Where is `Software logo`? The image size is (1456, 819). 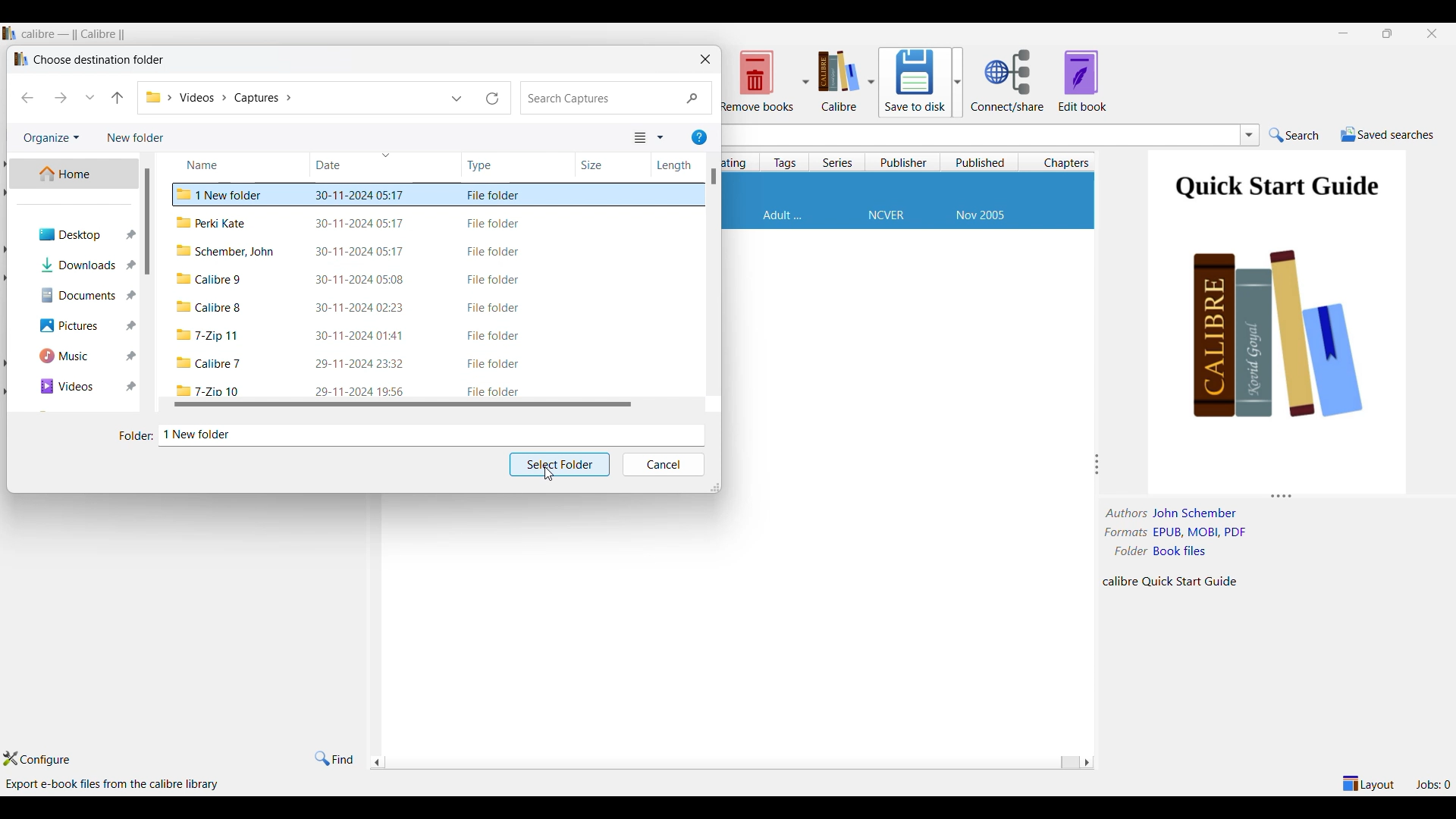 Software logo is located at coordinates (9, 33).